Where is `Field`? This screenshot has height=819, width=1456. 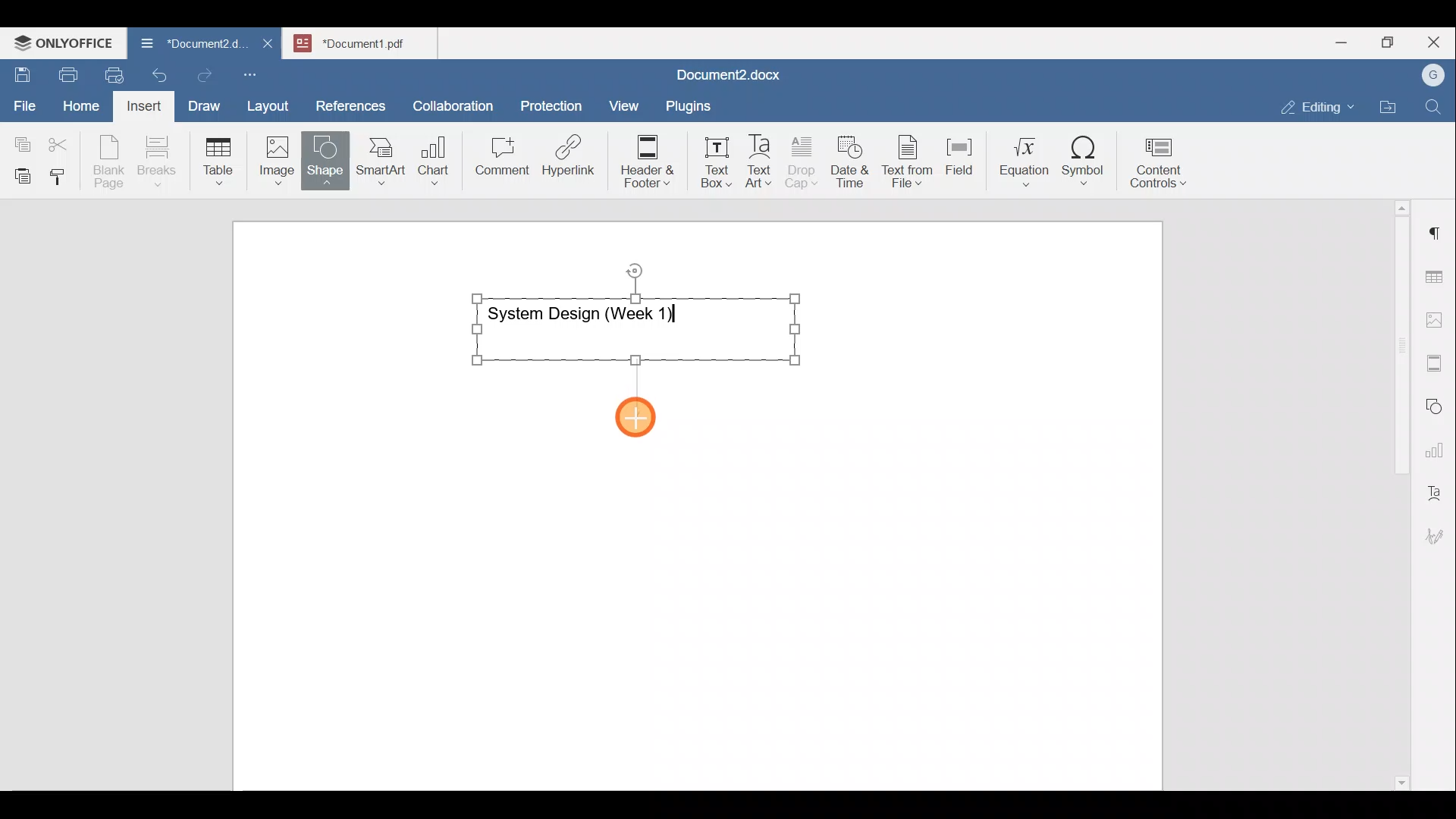
Field is located at coordinates (959, 154).